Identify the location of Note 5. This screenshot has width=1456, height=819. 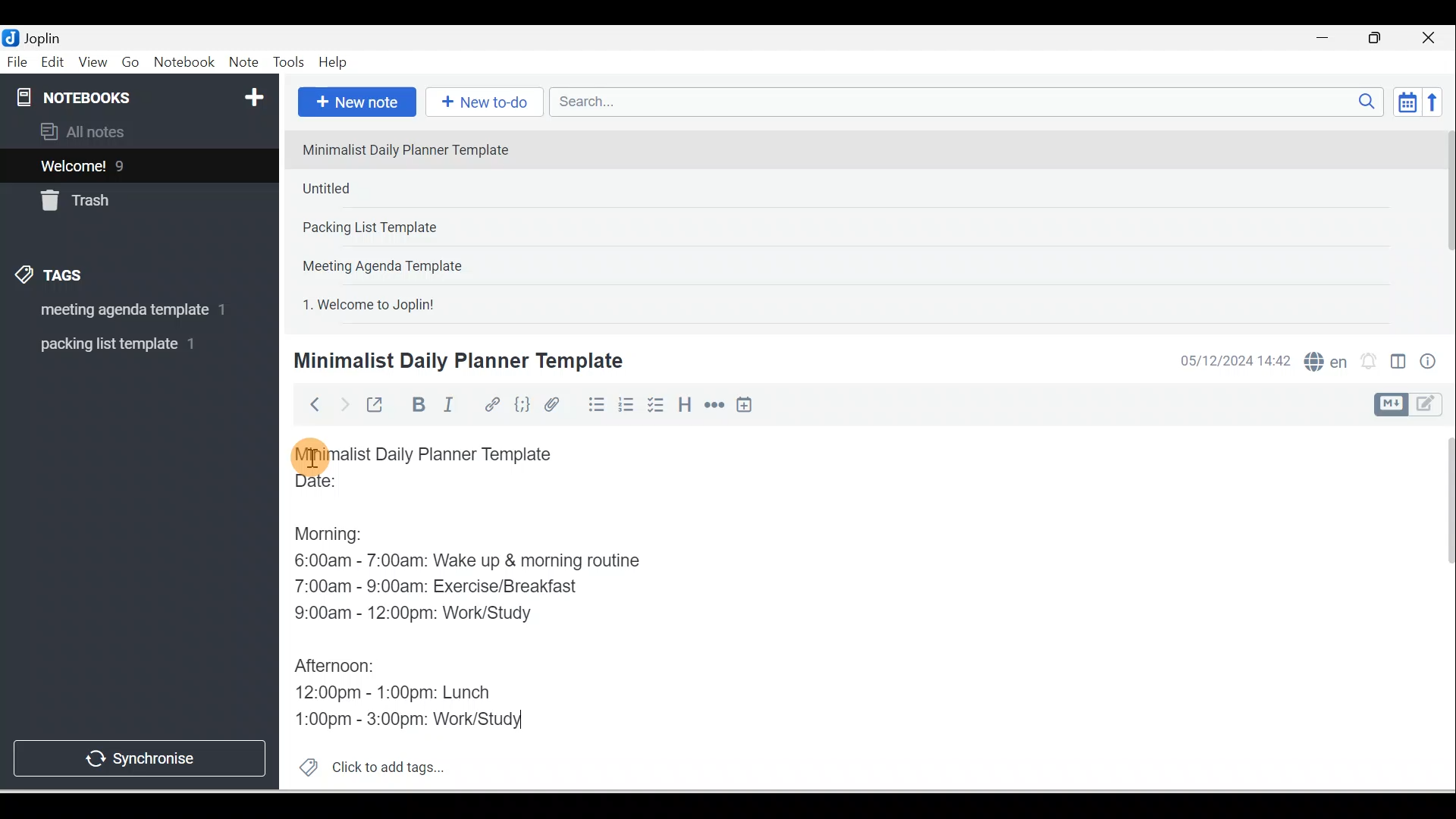
(424, 303).